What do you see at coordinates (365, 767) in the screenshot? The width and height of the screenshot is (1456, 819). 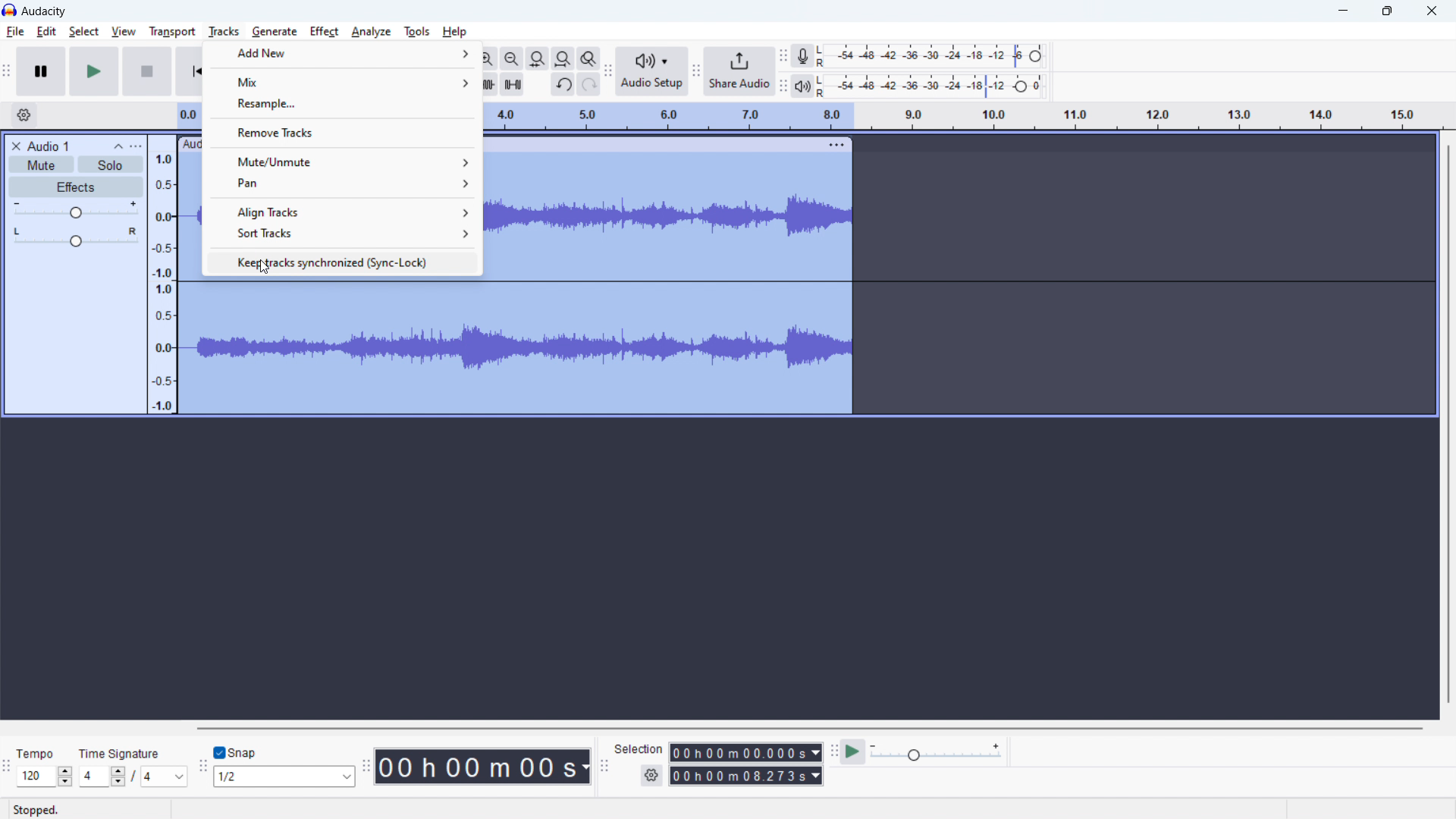 I see `time toolbar` at bounding box center [365, 767].